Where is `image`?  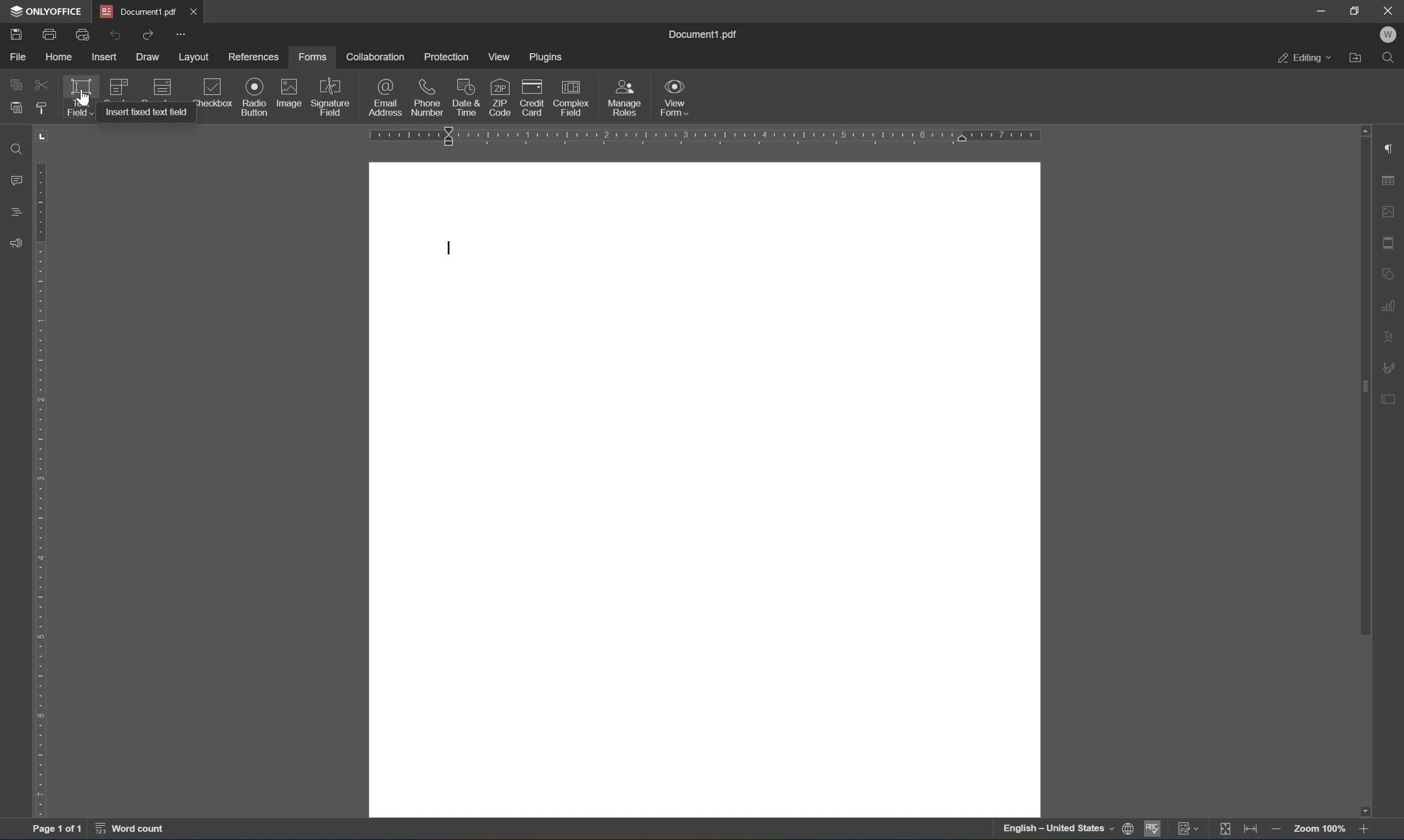 image is located at coordinates (288, 92).